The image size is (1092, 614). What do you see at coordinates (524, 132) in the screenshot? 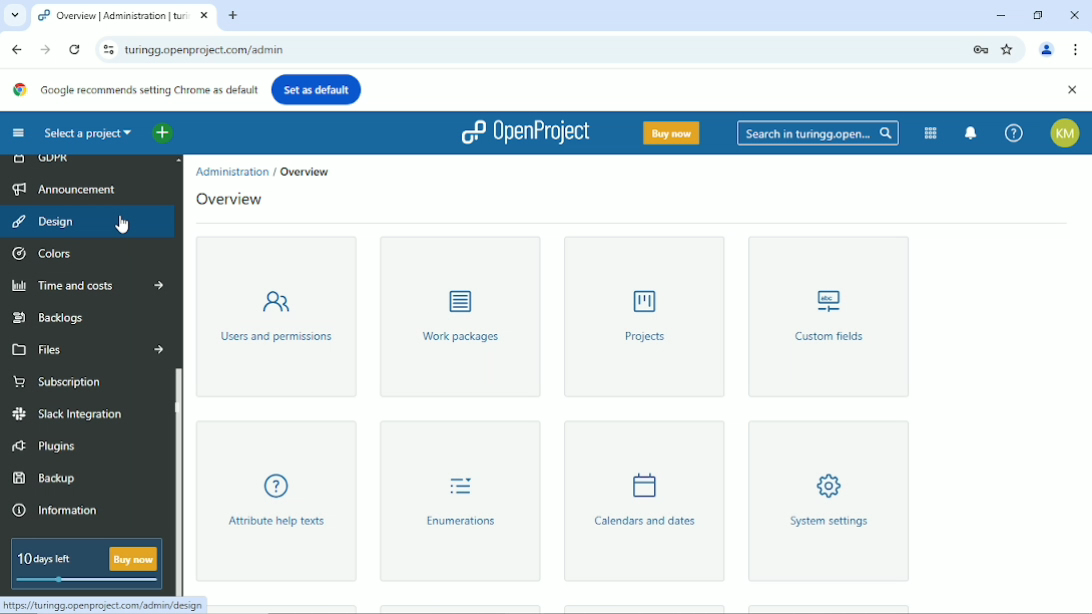
I see `Openproject` at bounding box center [524, 132].